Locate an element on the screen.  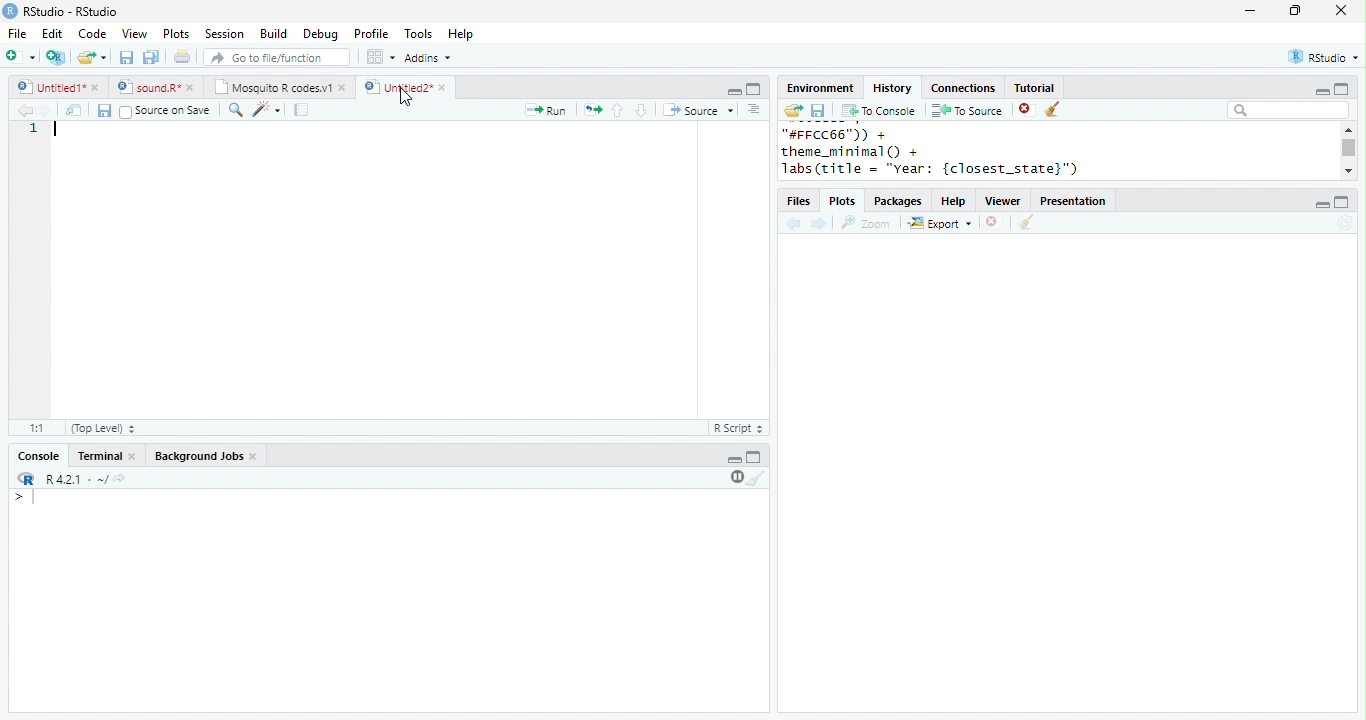
1:1 is located at coordinates (37, 428).